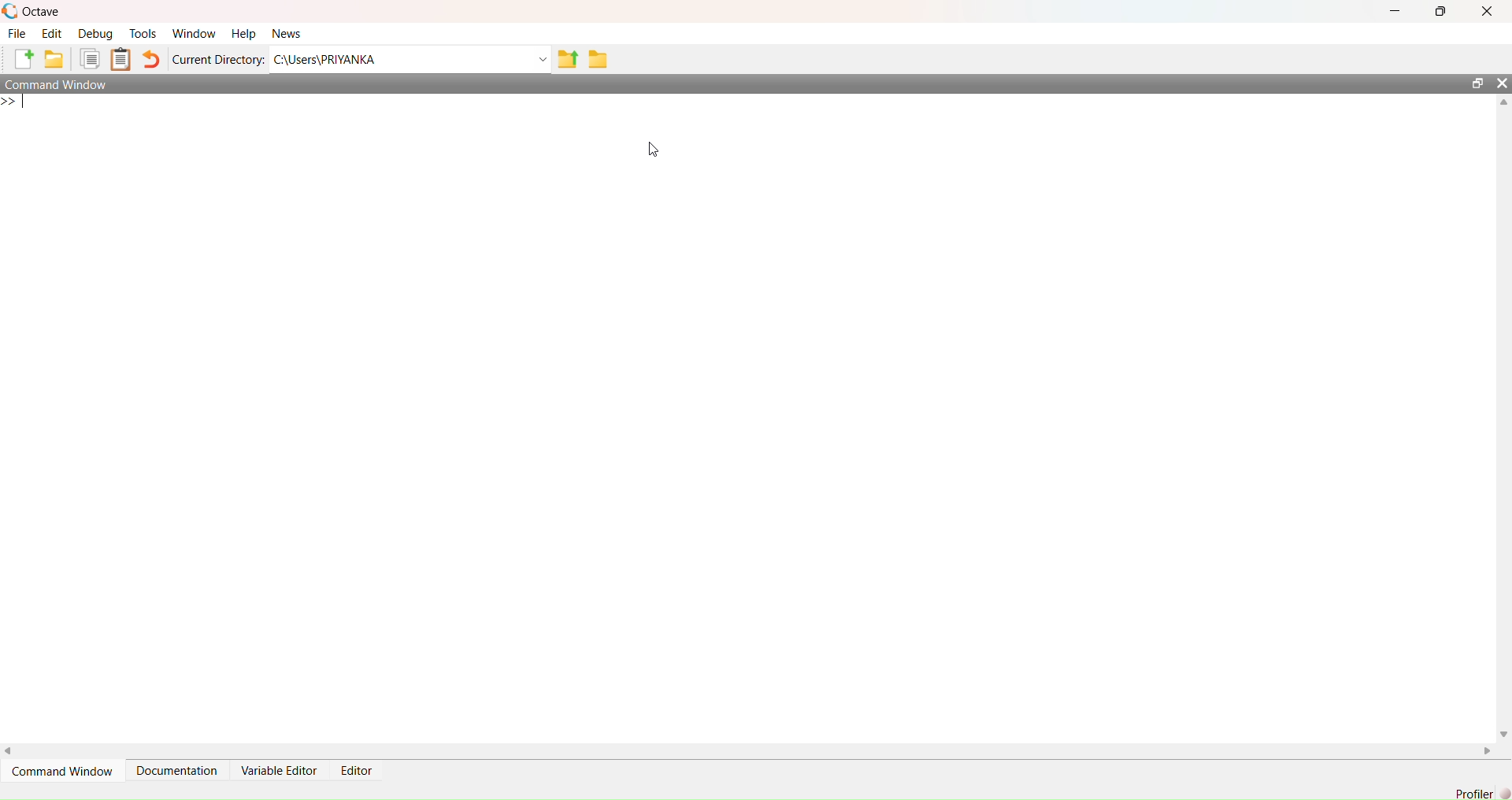 This screenshot has width=1512, height=800. What do you see at coordinates (1395, 11) in the screenshot?
I see `minimize` at bounding box center [1395, 11].